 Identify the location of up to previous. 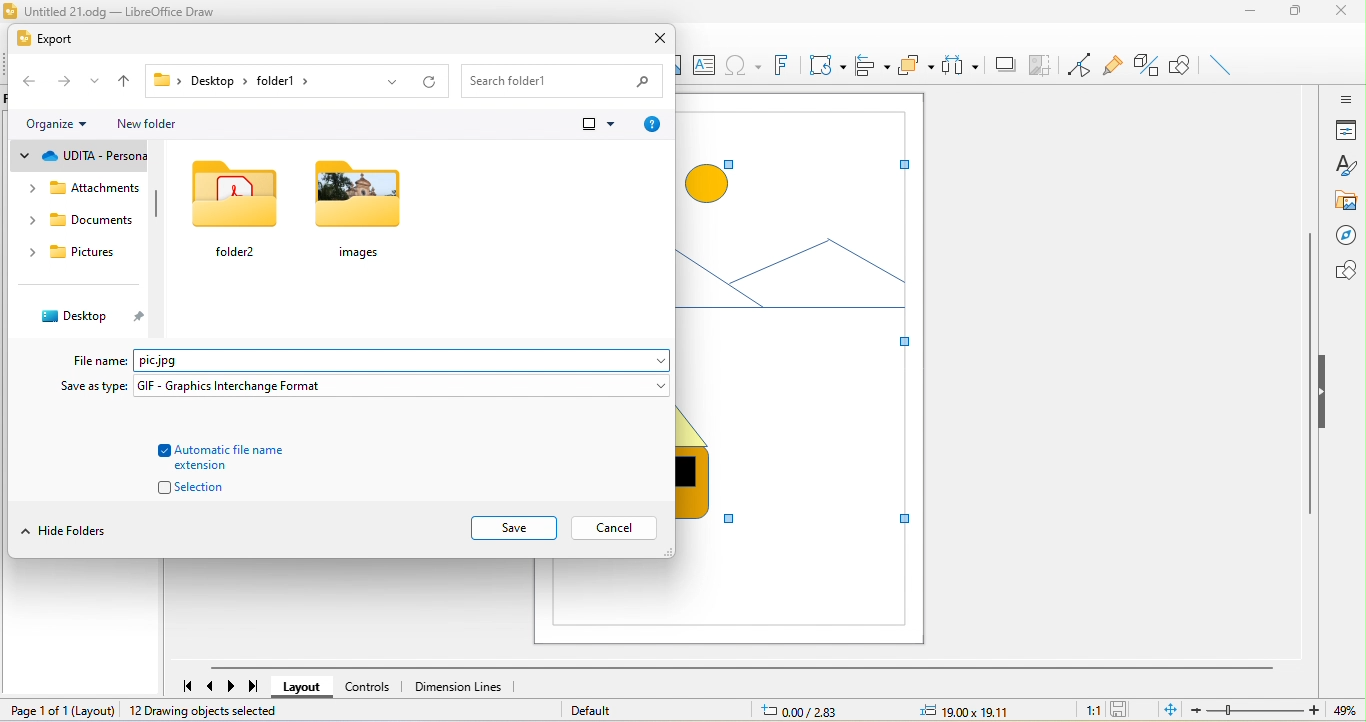
(126, 83).